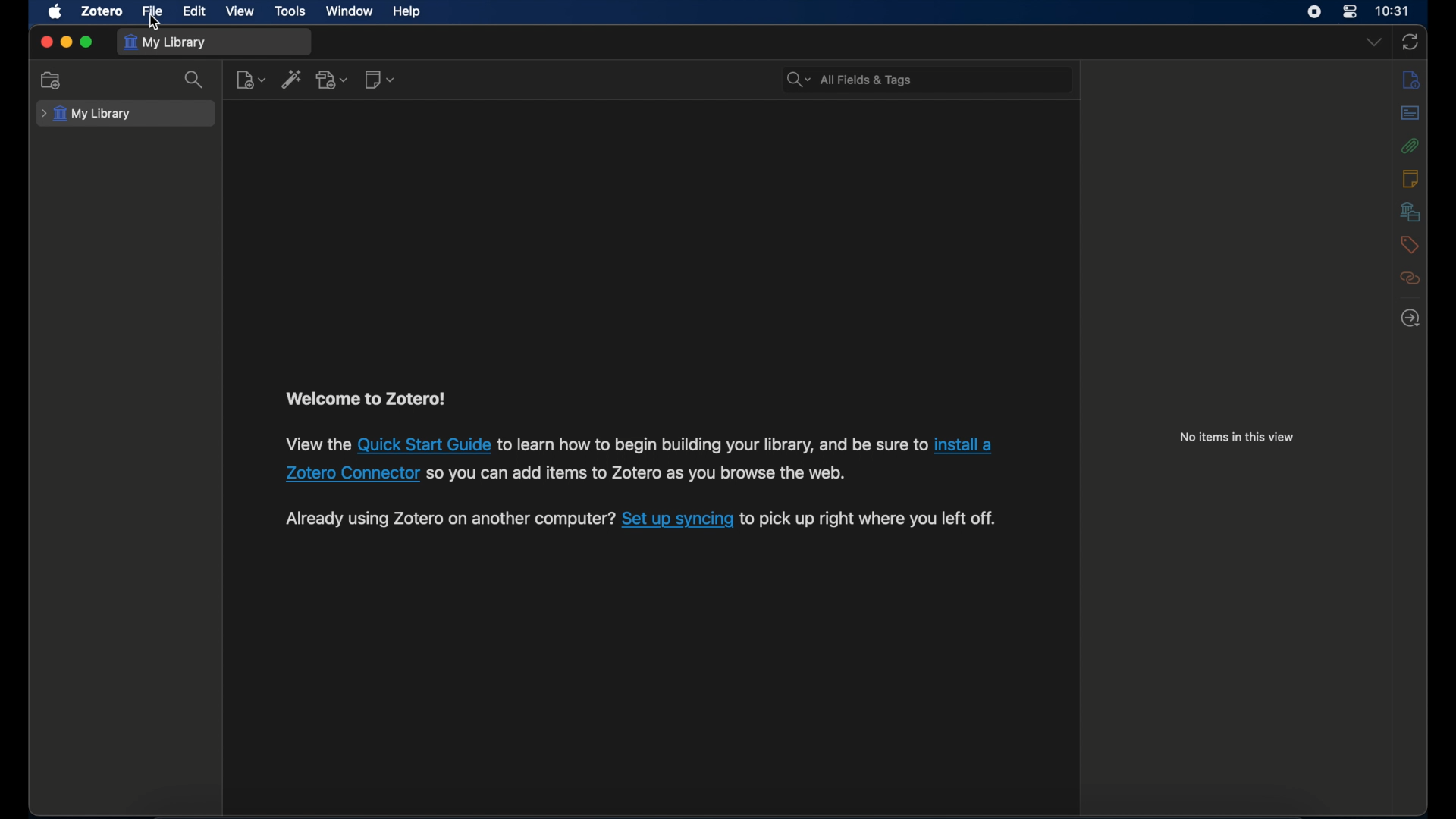  I want to click on all fields & tags, so click(849, 79).